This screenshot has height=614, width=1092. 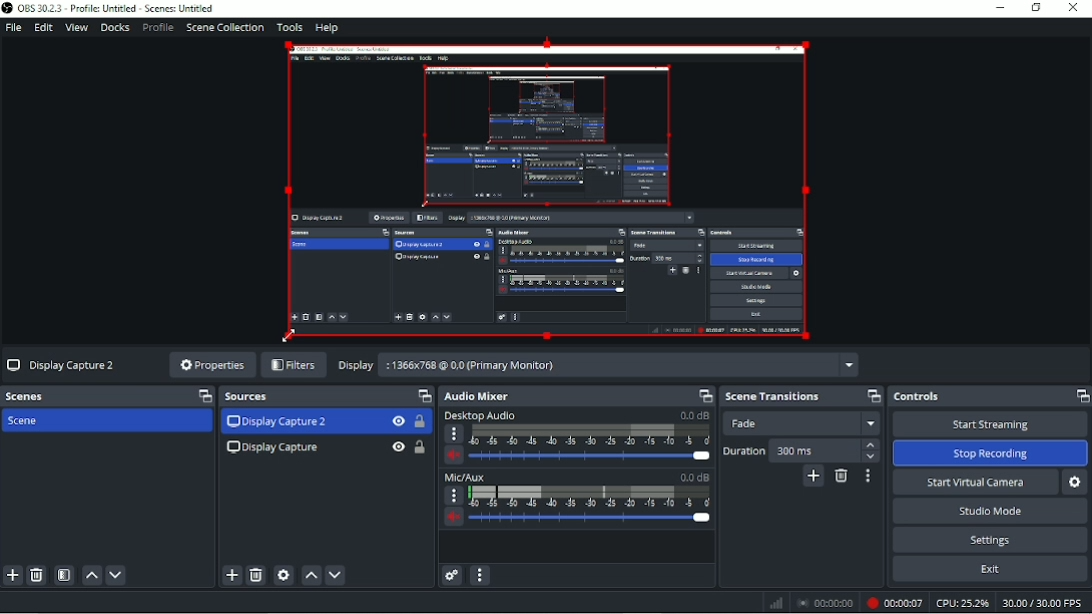 I want to click on Filters, so click(x=294, y=364).